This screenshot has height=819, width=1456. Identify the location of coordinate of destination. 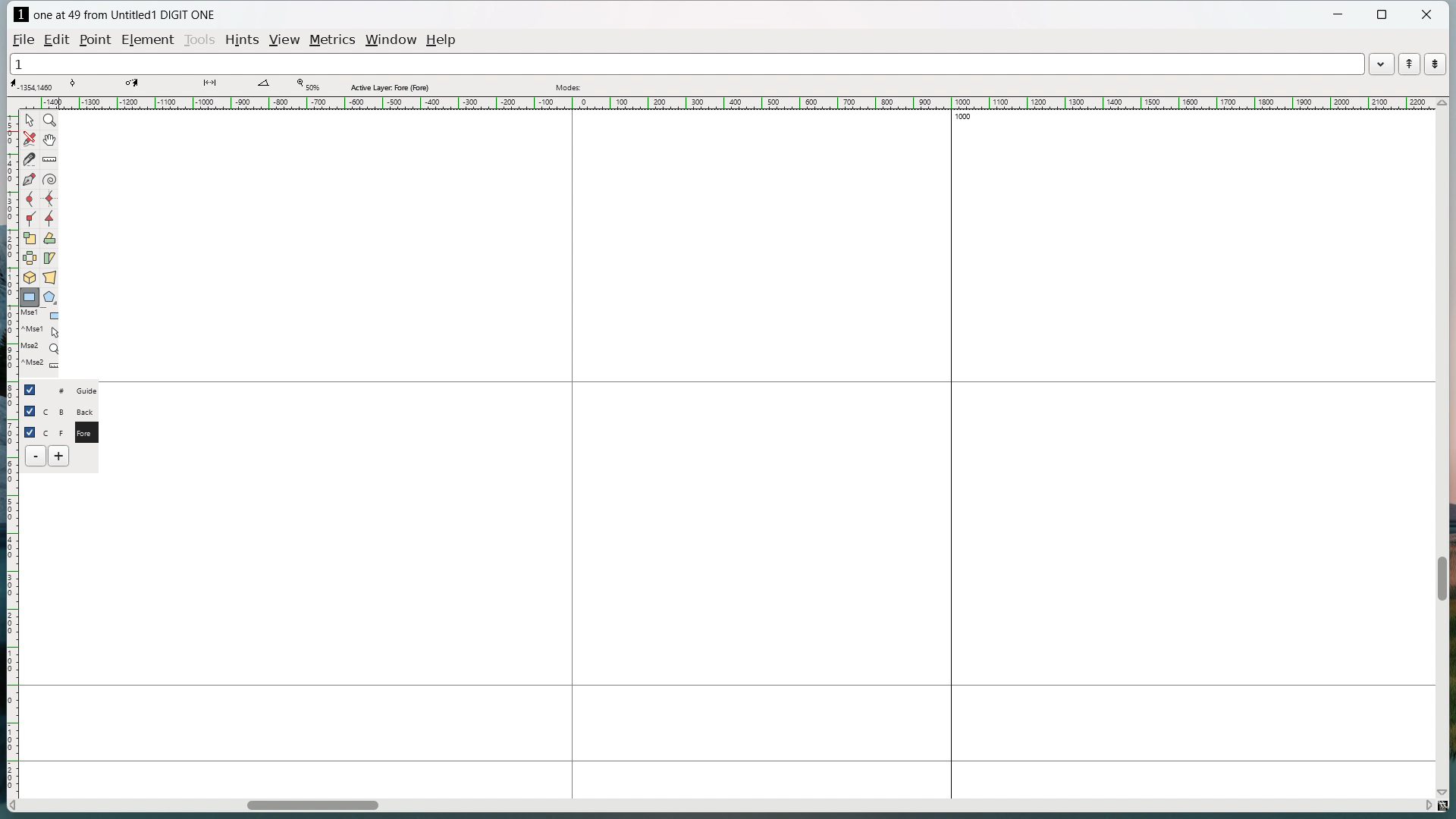
(134, 84).